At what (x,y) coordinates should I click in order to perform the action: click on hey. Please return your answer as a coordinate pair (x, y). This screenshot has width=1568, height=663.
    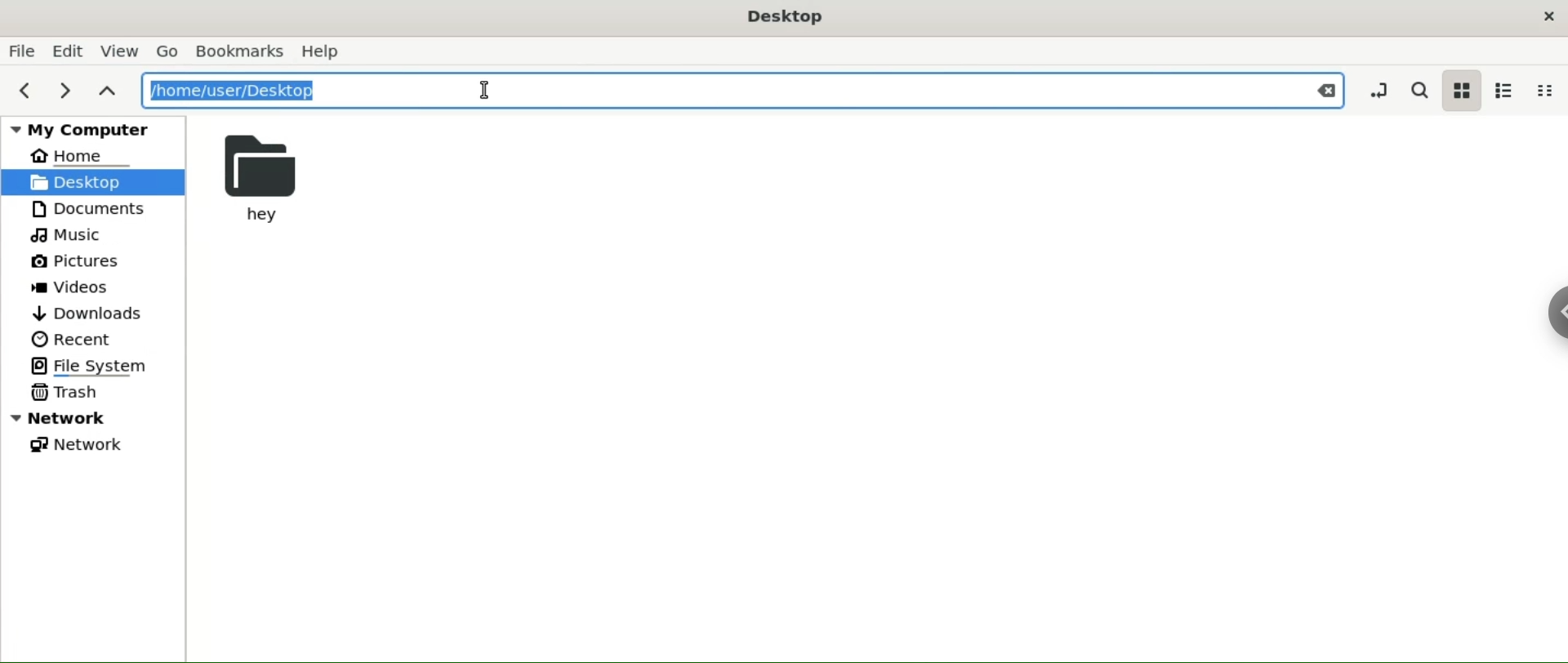
    Looking at the image, I should click on (266, 177).